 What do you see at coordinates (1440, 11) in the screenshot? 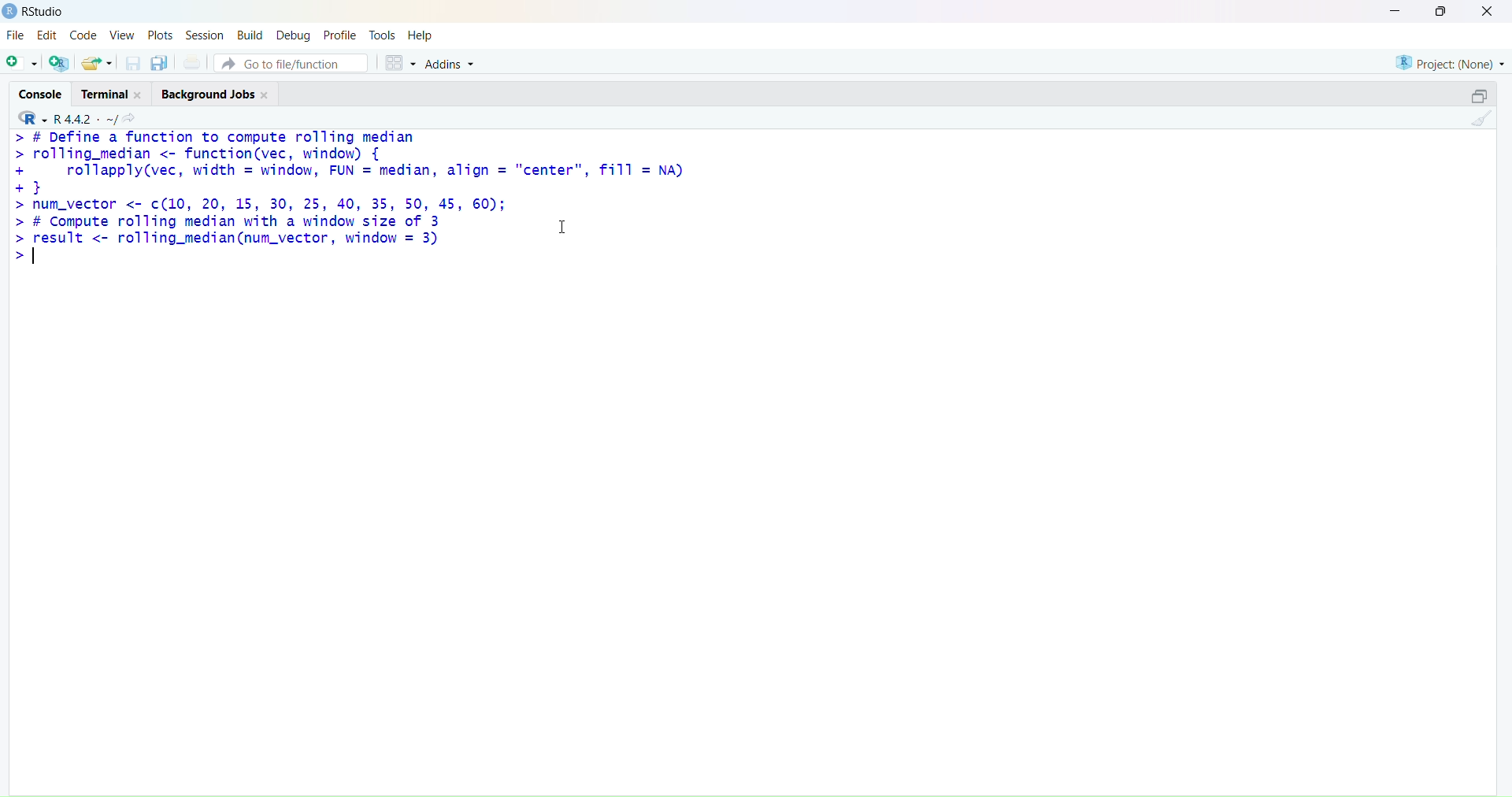
I see `maximise` at bounding box center [1440, 11].